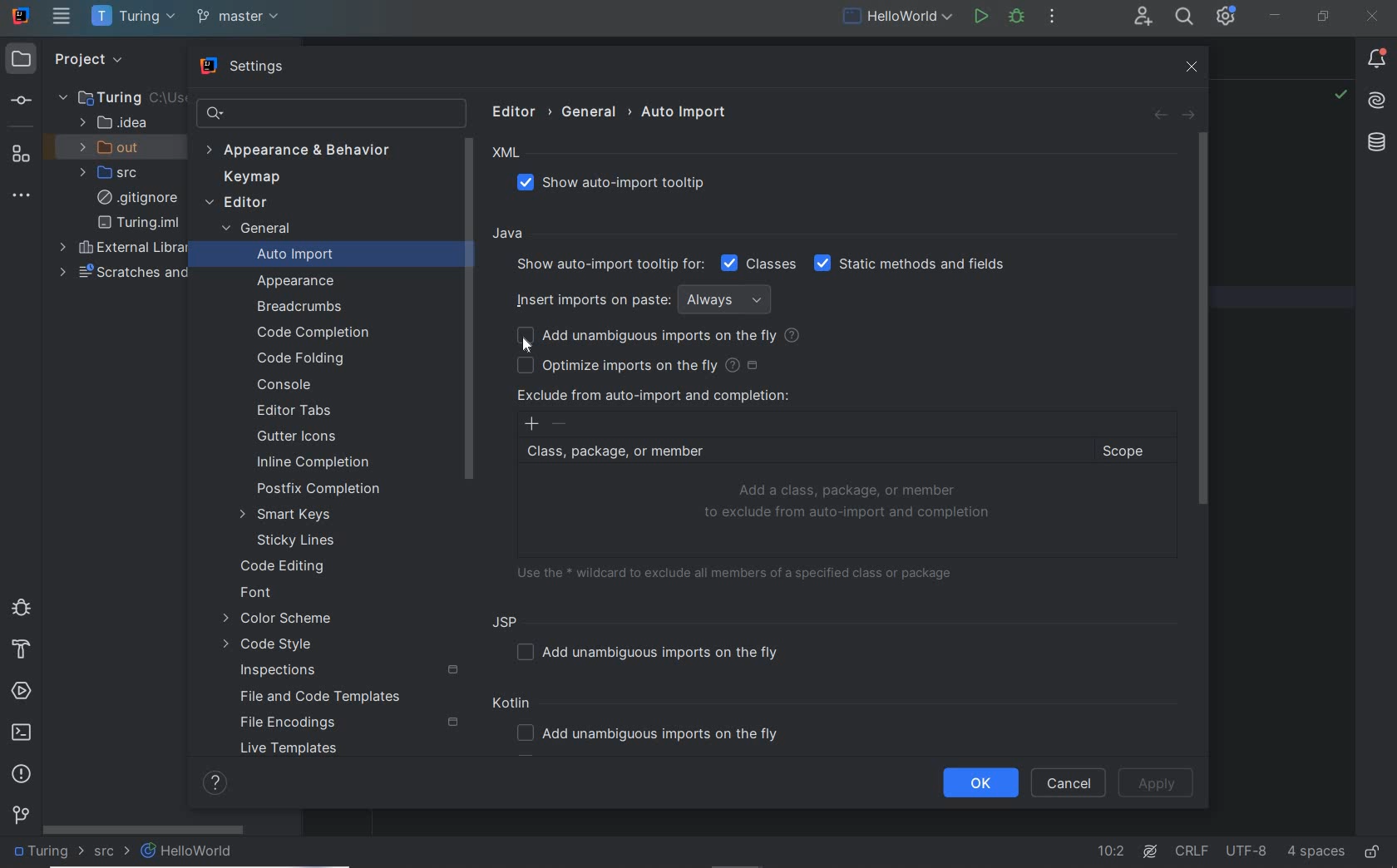  I want to click on out, so click(115, 147).